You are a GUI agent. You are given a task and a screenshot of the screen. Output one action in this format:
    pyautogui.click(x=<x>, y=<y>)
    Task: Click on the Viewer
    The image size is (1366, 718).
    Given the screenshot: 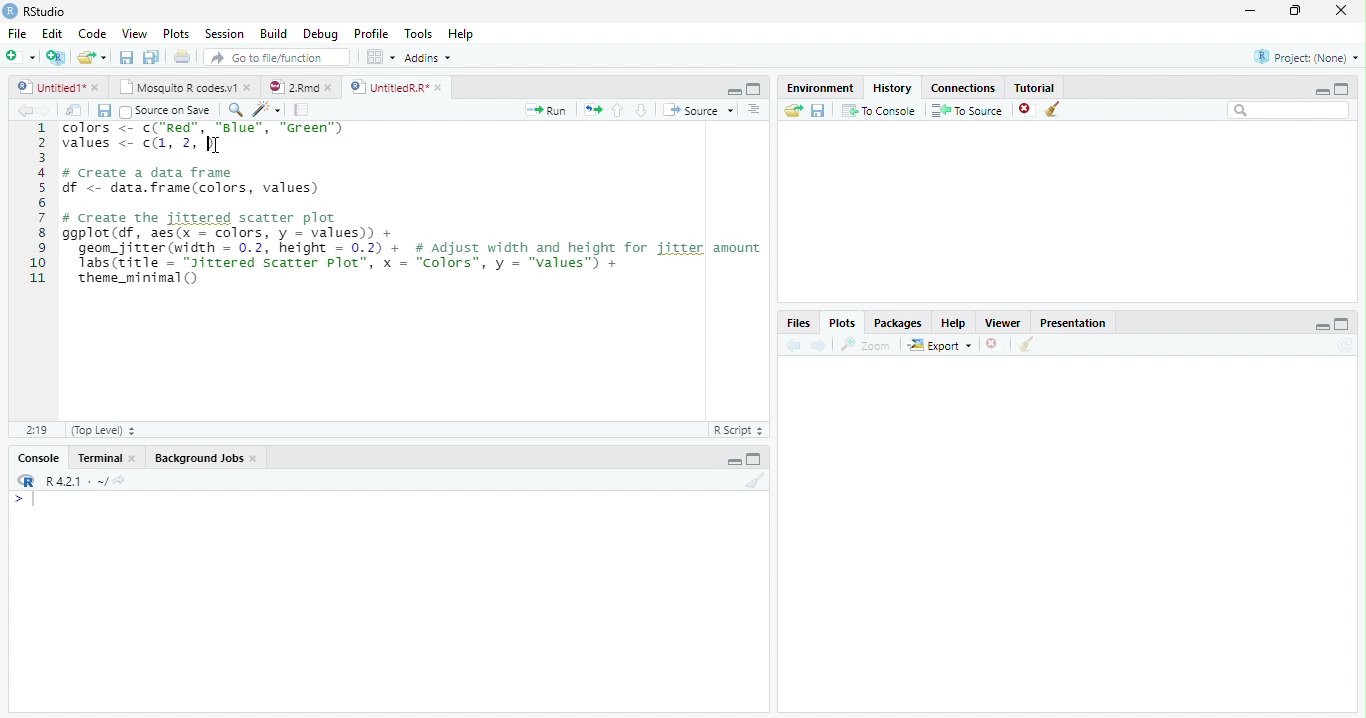 What is the action you would take?
    pyautogui.click(x=1004, y=323)
    